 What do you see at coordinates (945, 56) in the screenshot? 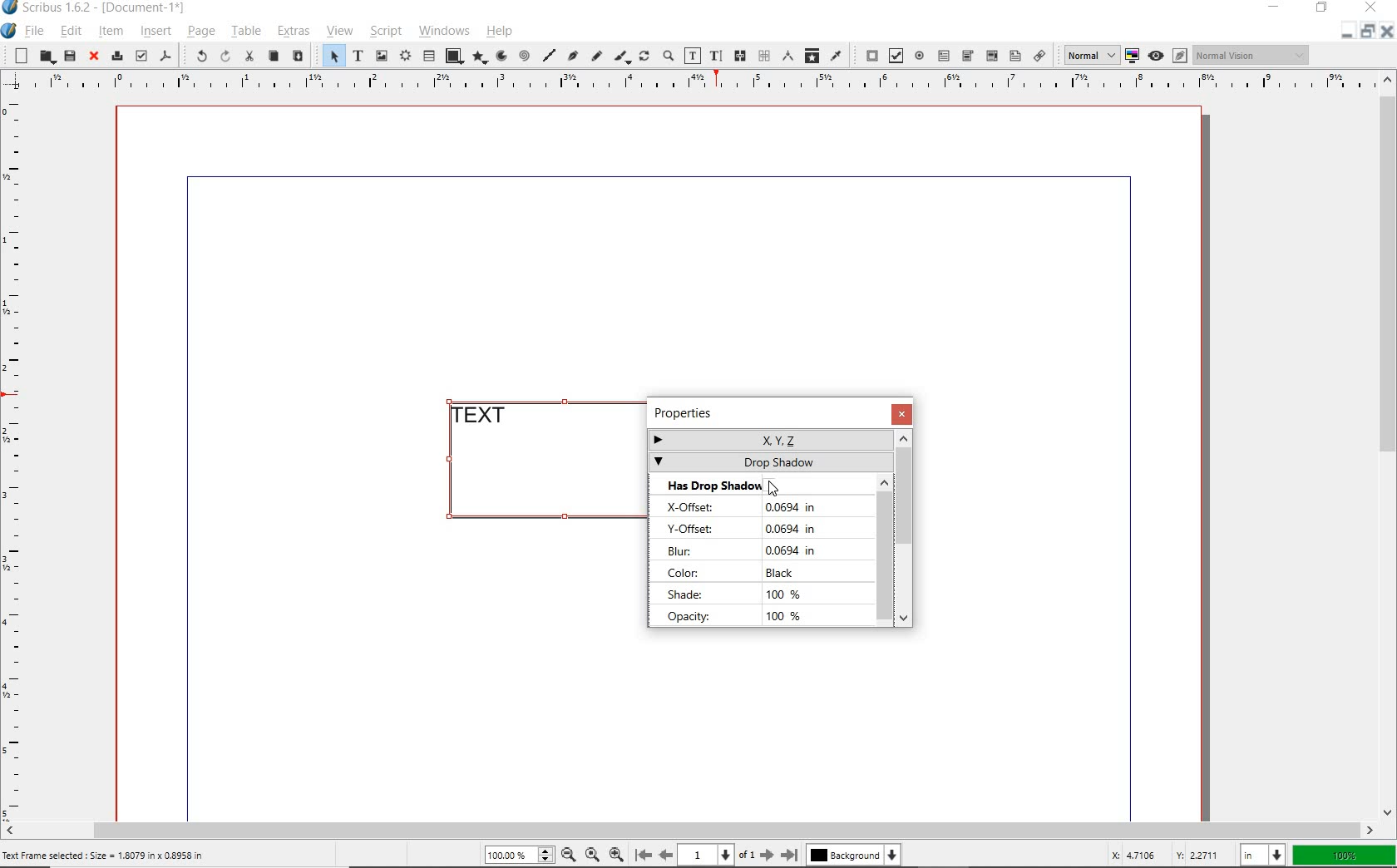
I see `pdf text field` at bounding box center [945, 56].